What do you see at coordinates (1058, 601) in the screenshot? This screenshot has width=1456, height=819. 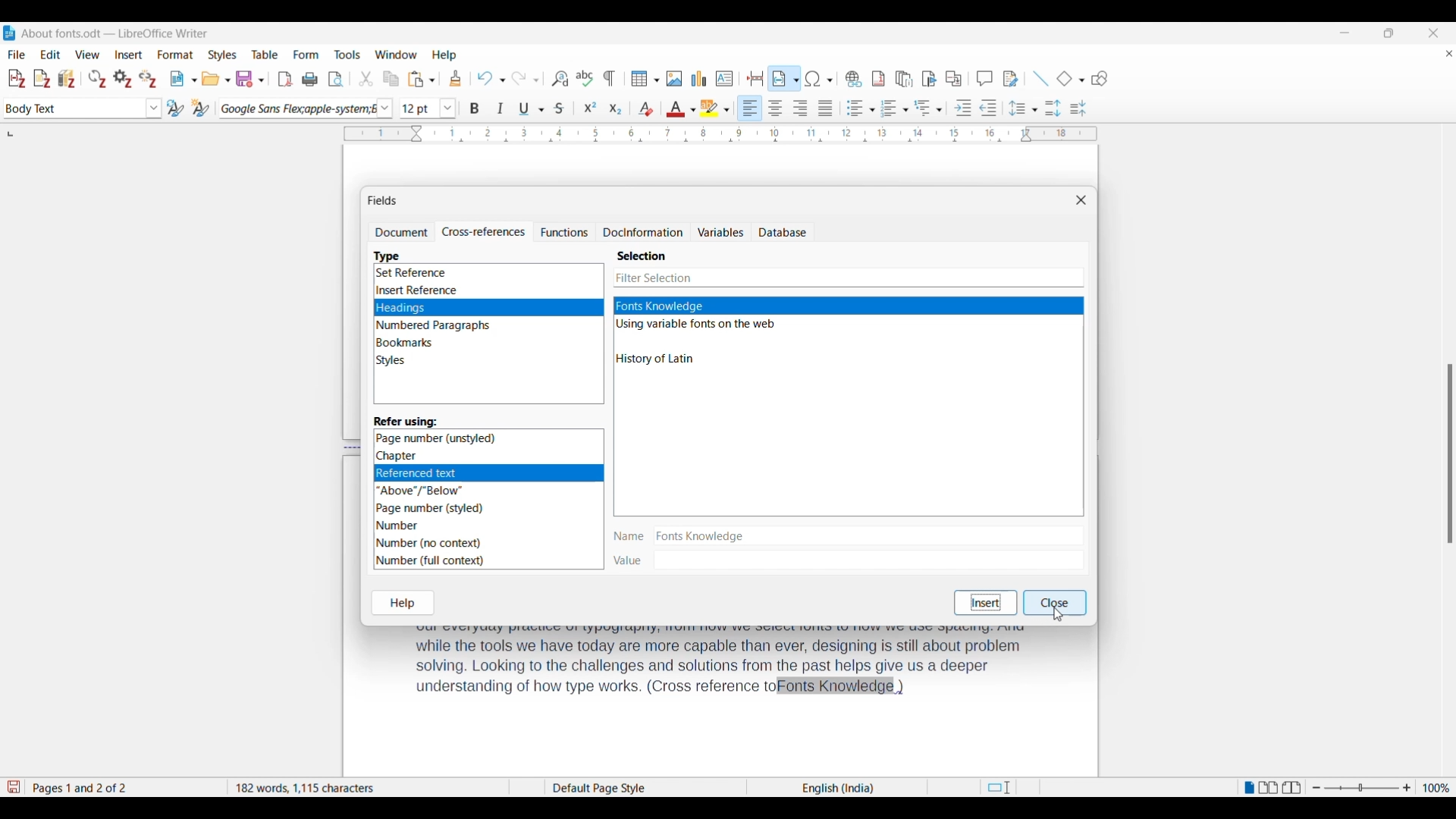 I see `close` at bounding box center [1058, 601].